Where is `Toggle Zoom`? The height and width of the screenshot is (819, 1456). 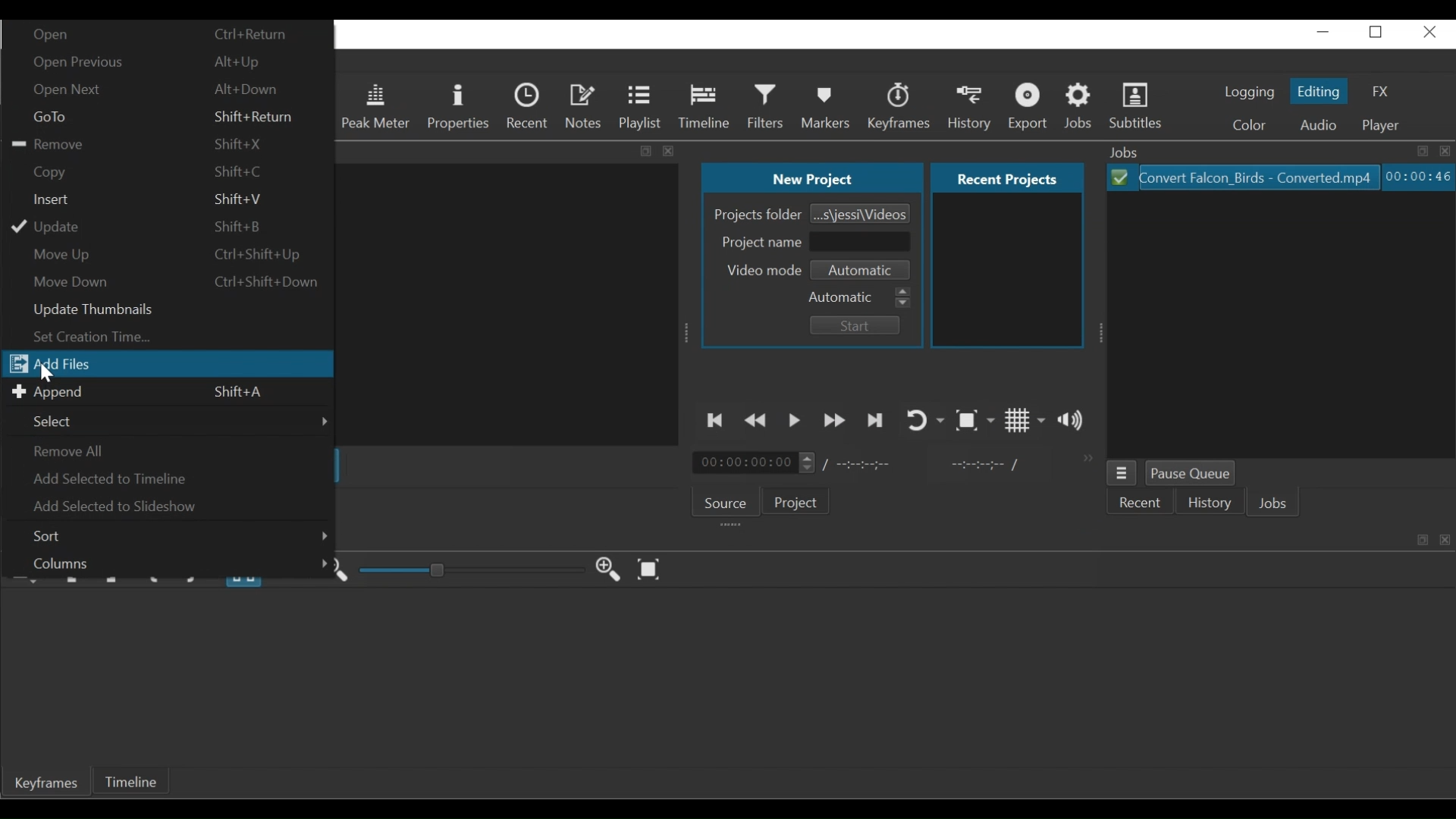
Toggle Zoom is located at coordinates (975, 420).